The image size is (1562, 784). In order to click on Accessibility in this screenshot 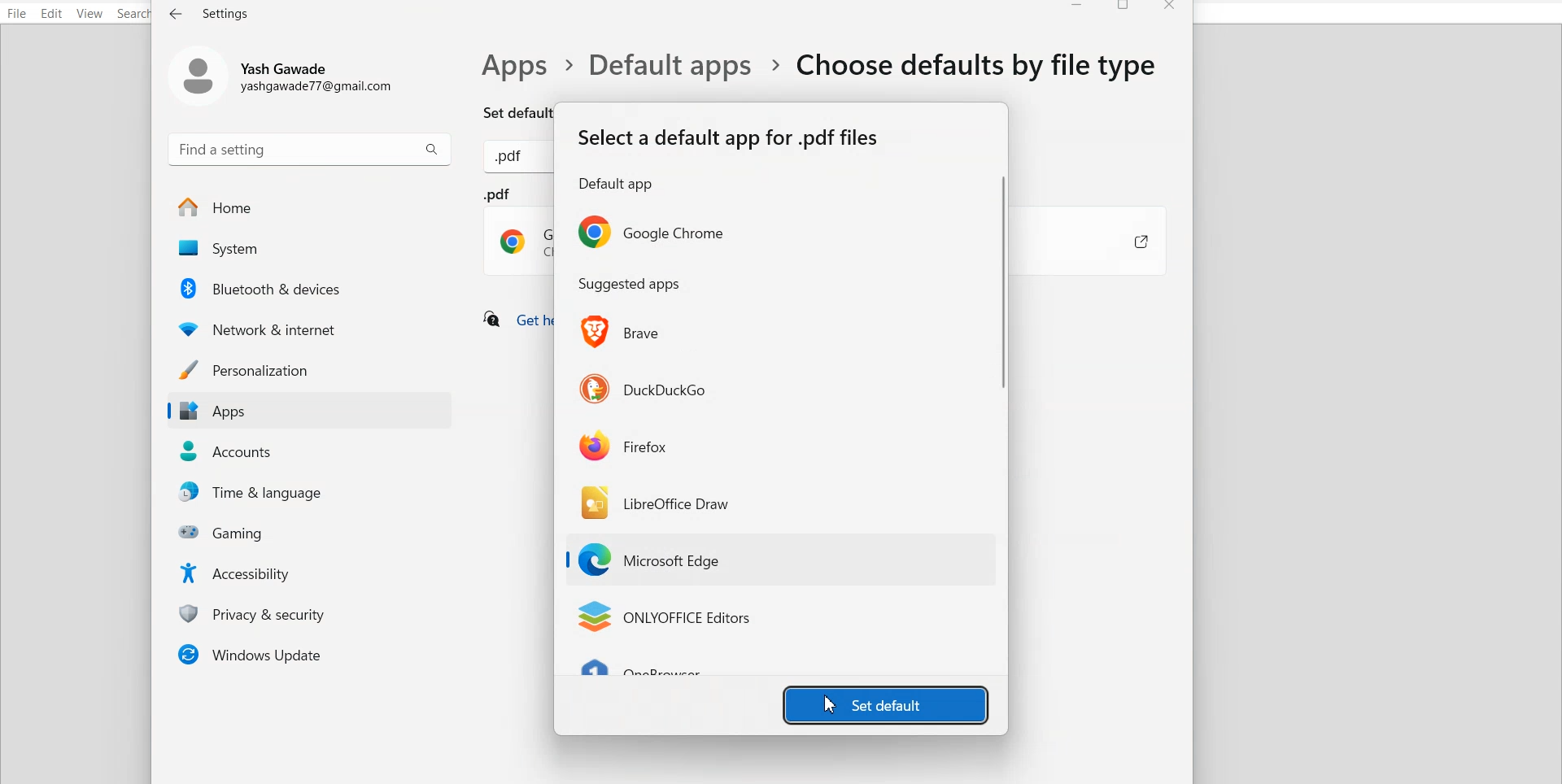, I will do `click(313, 572)`.